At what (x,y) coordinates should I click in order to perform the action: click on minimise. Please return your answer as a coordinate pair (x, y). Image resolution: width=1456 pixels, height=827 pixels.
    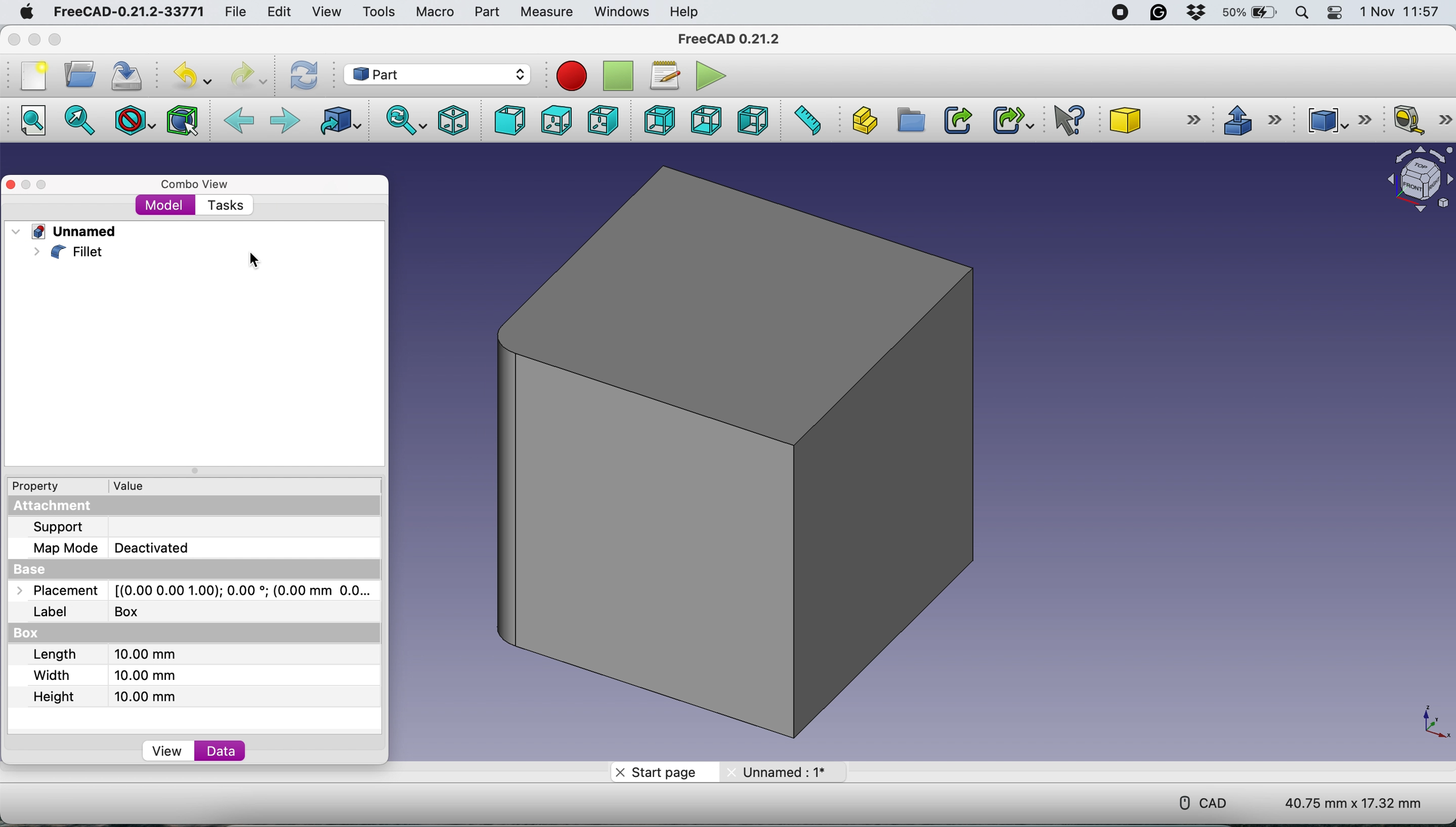
    Looking at the image, I should click on (35, 40).